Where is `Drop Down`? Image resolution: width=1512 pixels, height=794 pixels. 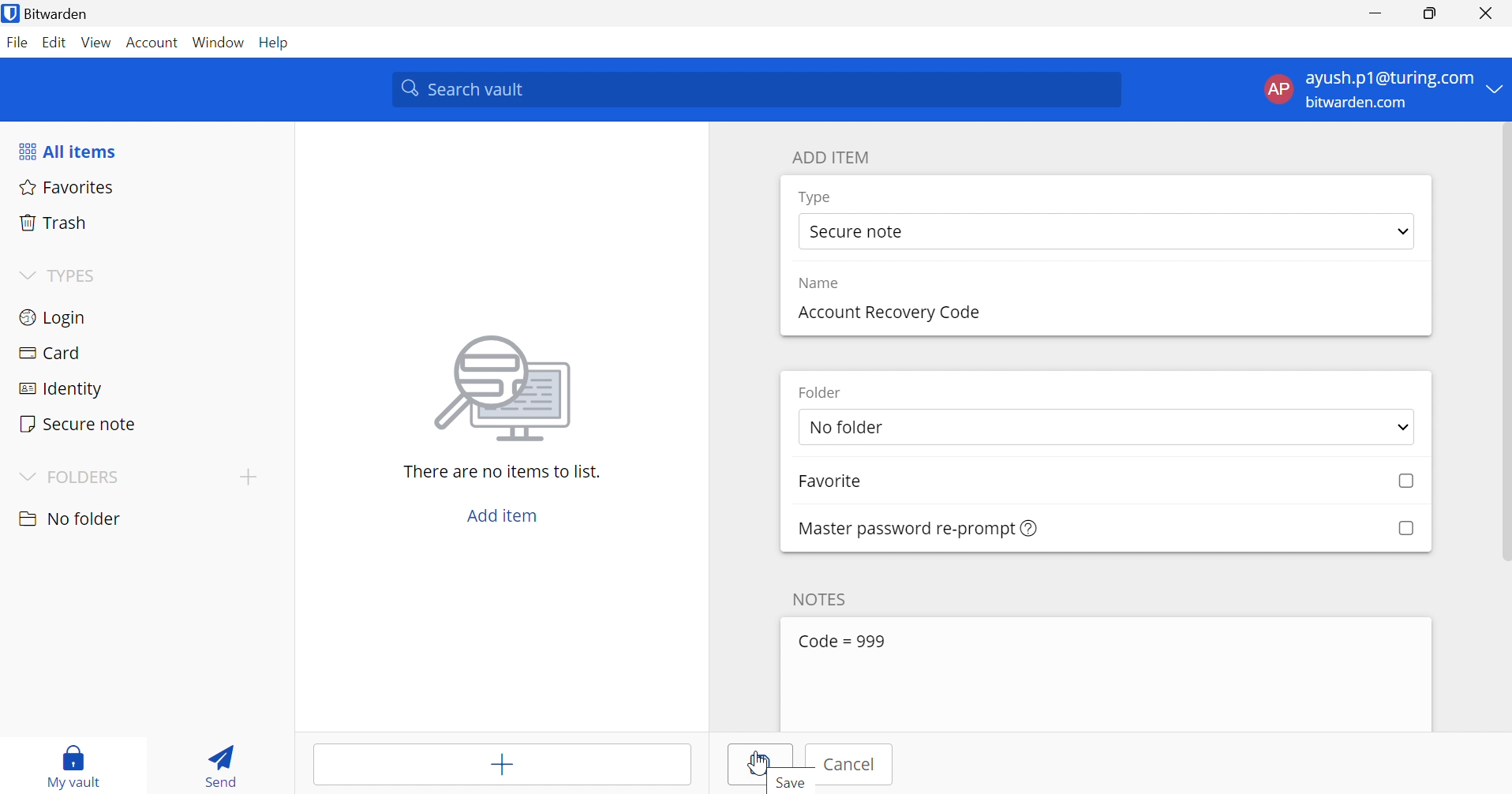
Drop Down is located at coordinates (1496, 90).